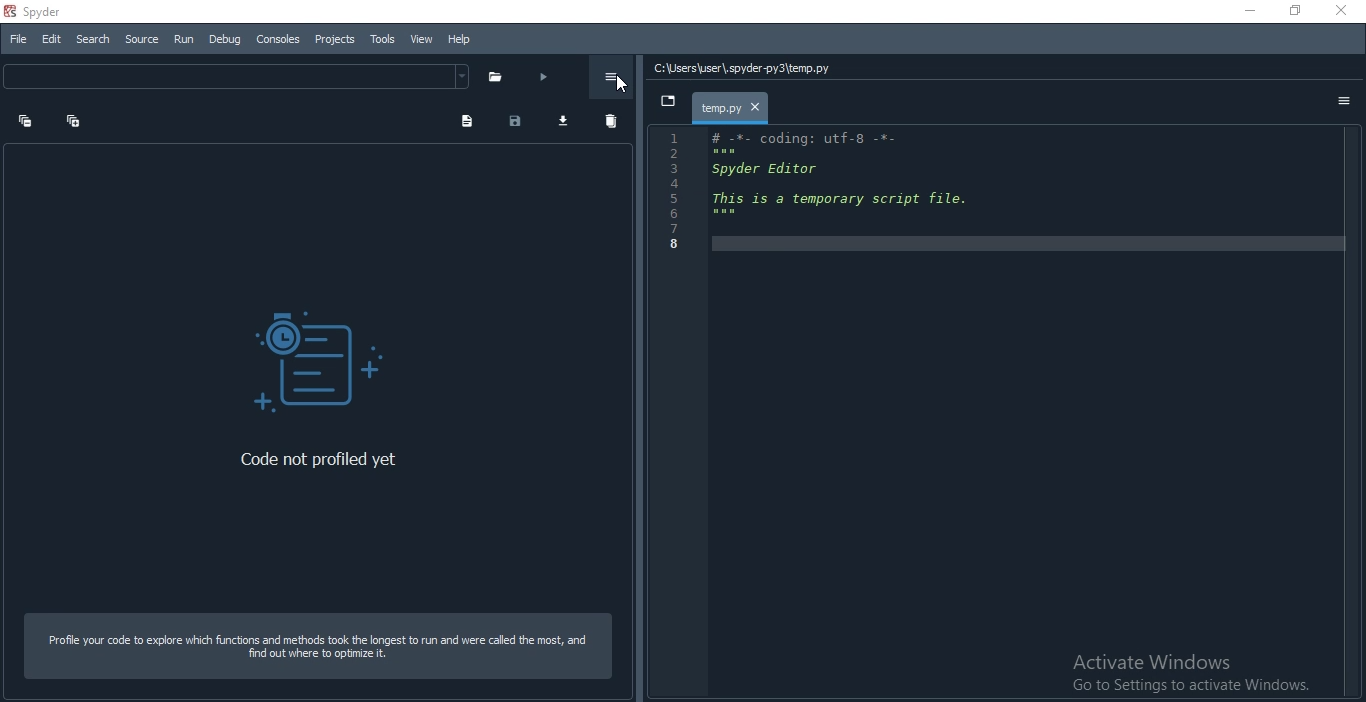 This screenshot has height=702, width=1366. I want to click on Help, so click(456, 40).